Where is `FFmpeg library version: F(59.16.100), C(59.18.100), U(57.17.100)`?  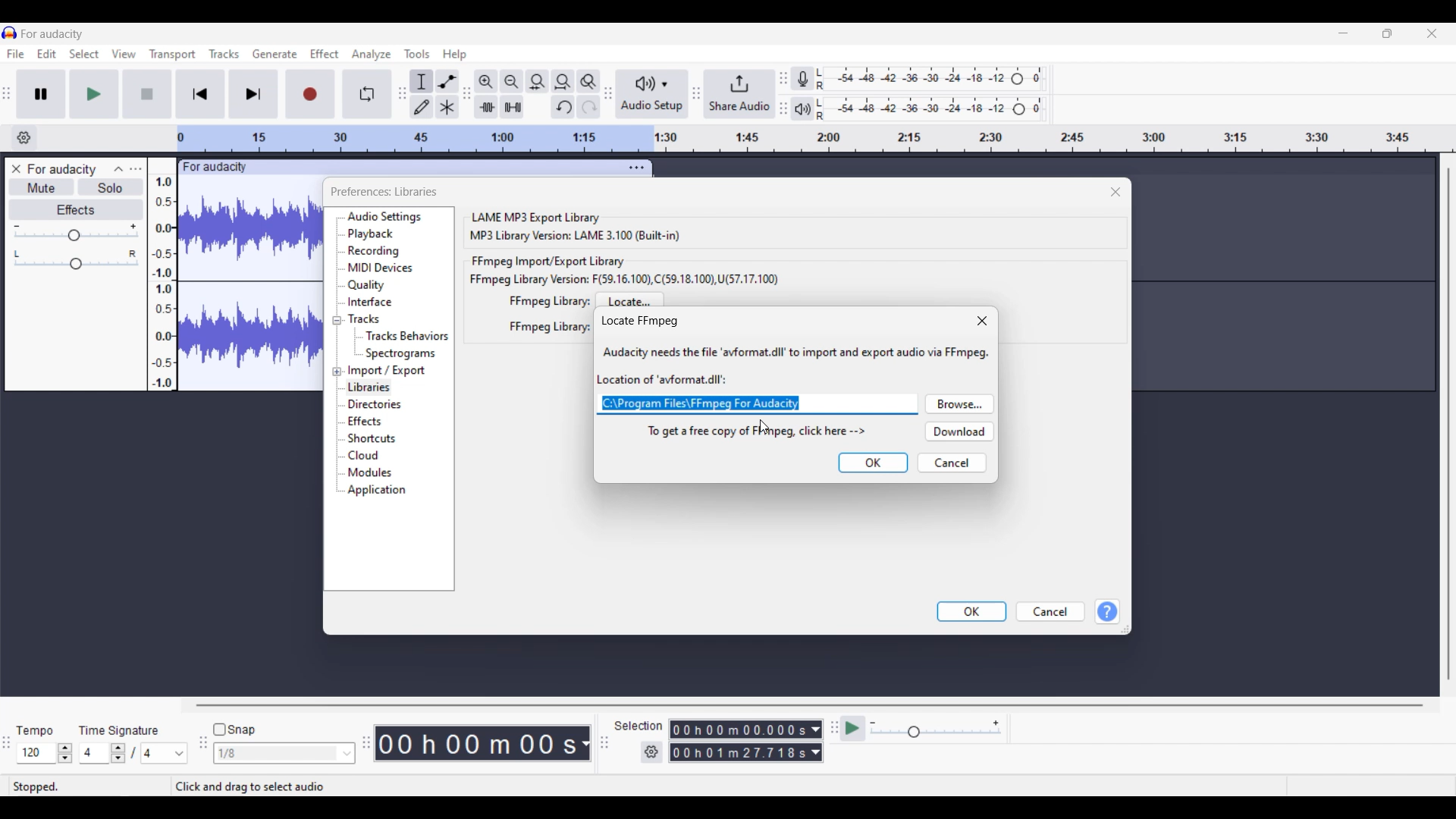 FFmpeg library version: F(59.16.100), C(59.18.100), U(57.17.100) is located at coordinates (624, 279).